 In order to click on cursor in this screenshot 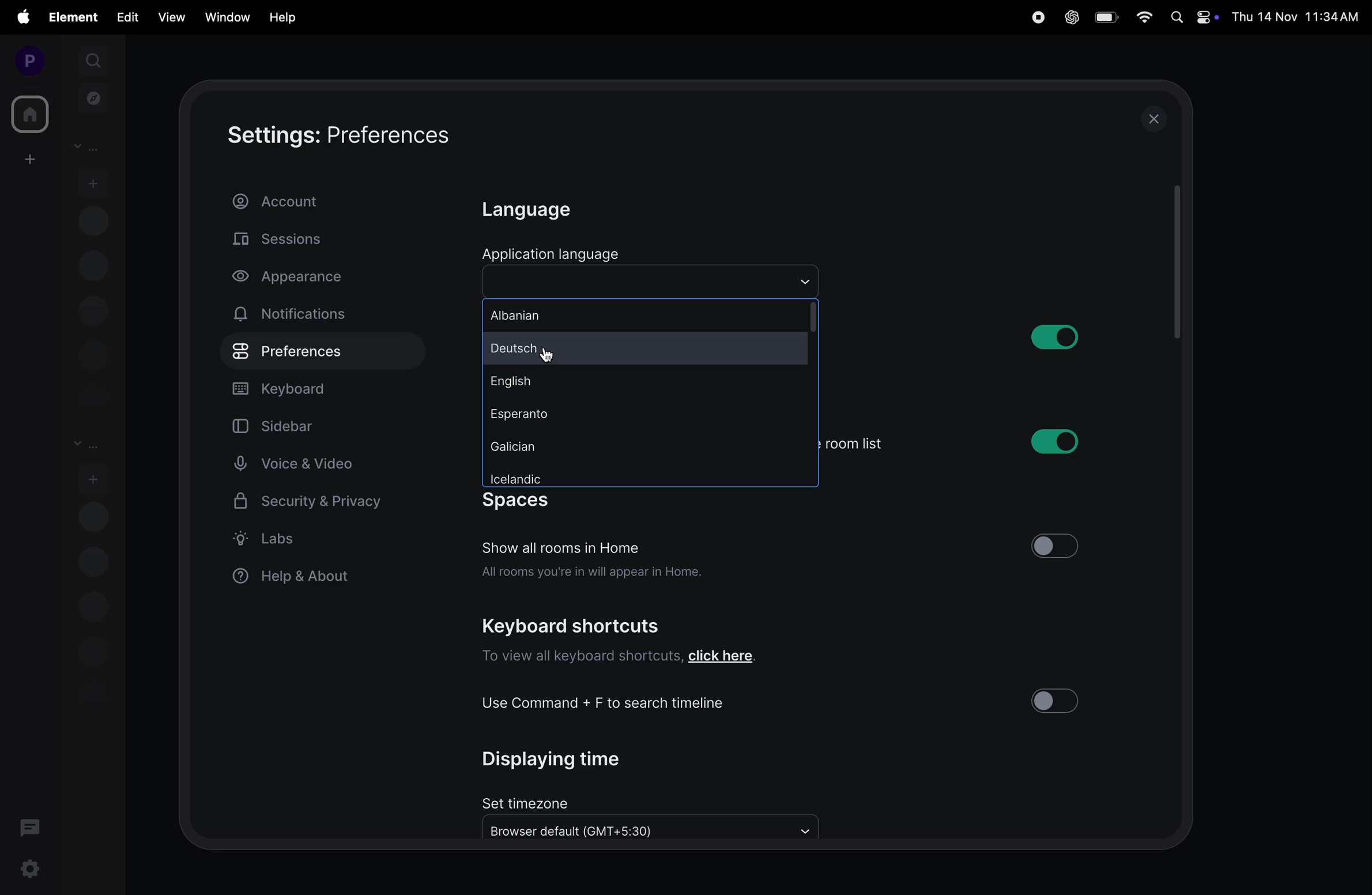, I will do `click(551, 356)`.